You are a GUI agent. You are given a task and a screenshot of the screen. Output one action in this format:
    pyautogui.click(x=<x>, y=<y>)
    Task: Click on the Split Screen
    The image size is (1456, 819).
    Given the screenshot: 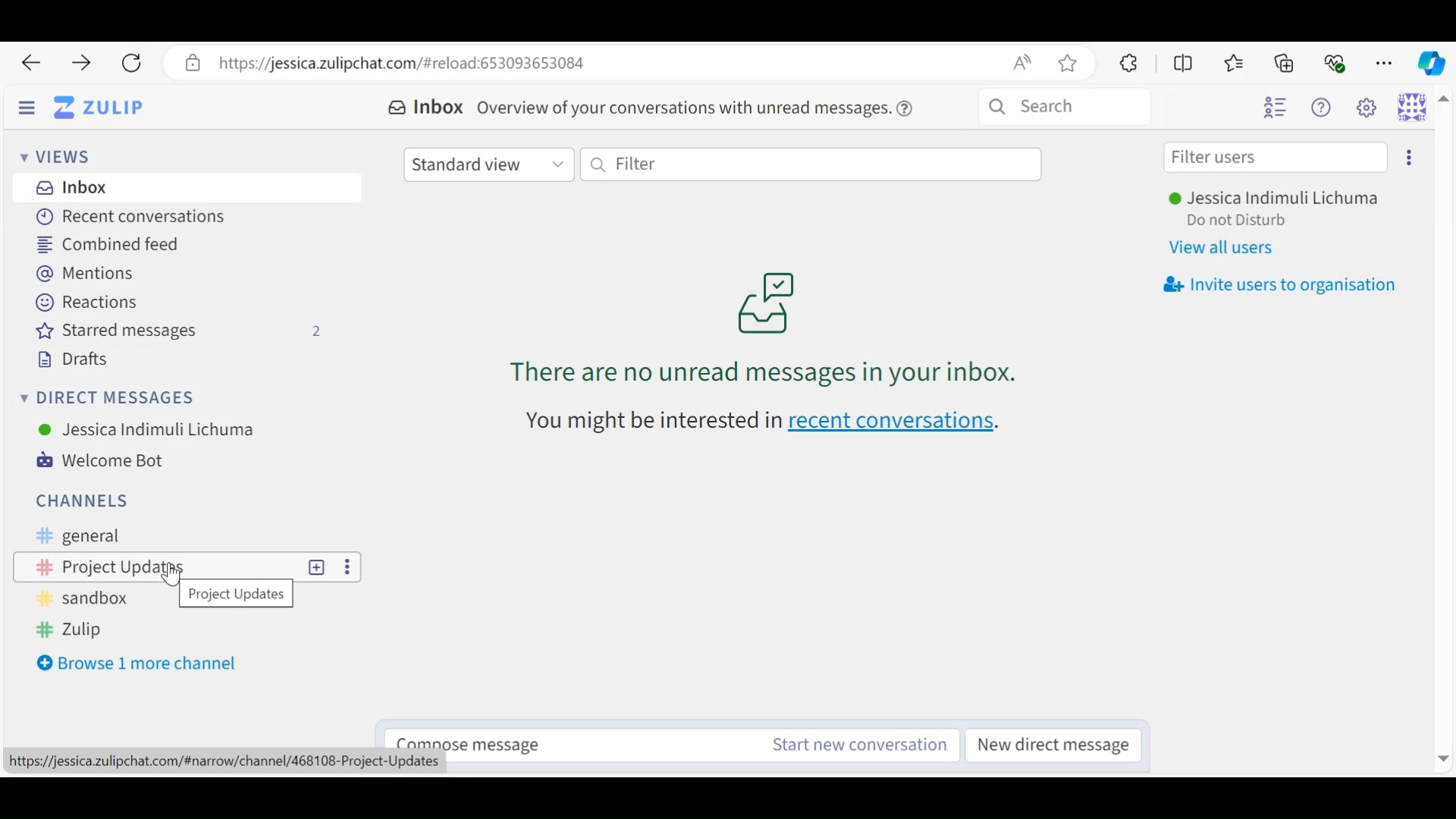 What is the action you would take?
    pyautogui.click(x=1185, y=63)
    